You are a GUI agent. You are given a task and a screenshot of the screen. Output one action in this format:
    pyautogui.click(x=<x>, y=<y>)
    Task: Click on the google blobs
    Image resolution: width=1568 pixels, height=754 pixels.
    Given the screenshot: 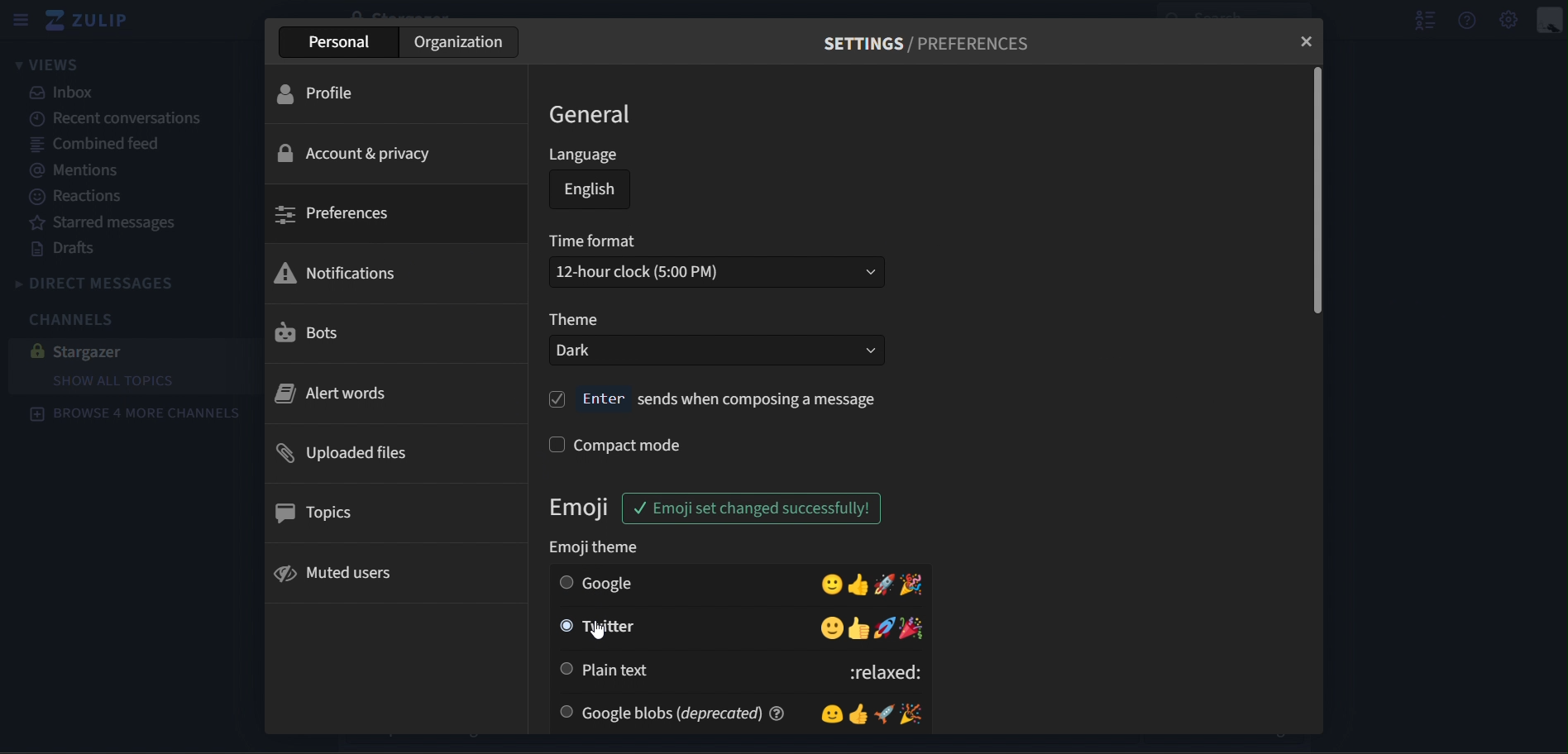 What is the action you would take?
    pyautogui.click(x=738, y=712)
    